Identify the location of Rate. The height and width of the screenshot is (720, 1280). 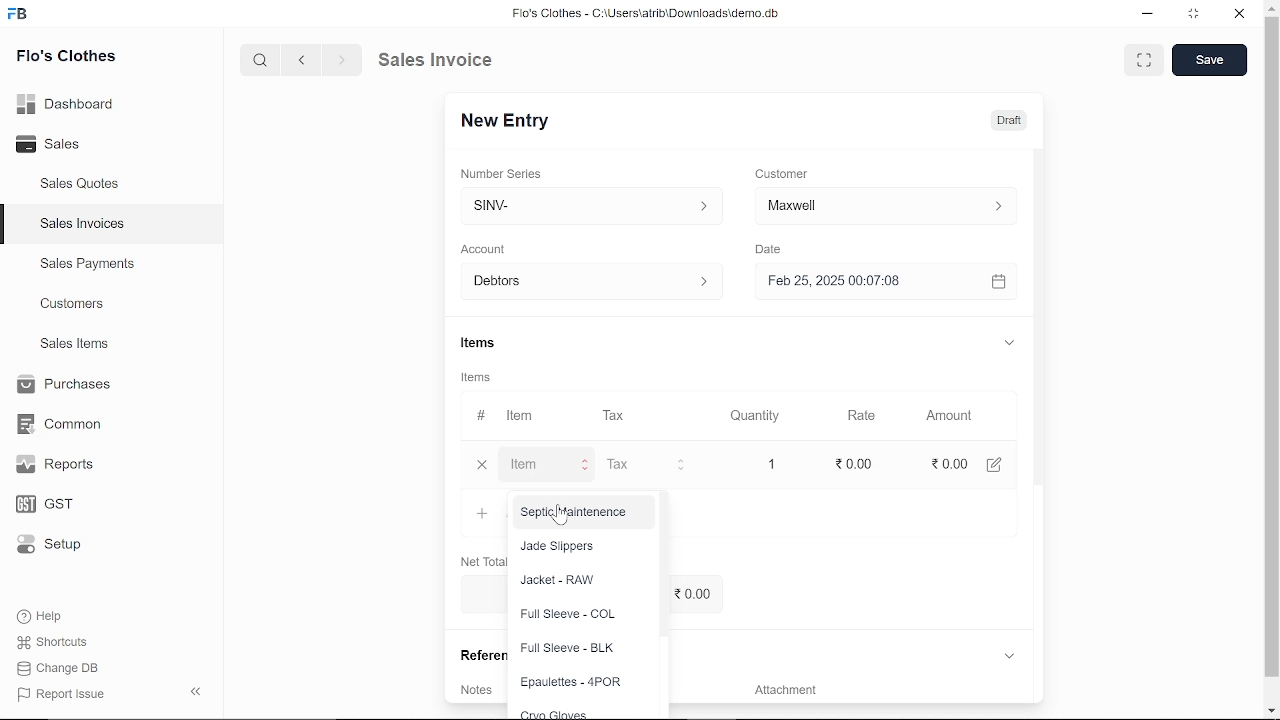
(850, 416).